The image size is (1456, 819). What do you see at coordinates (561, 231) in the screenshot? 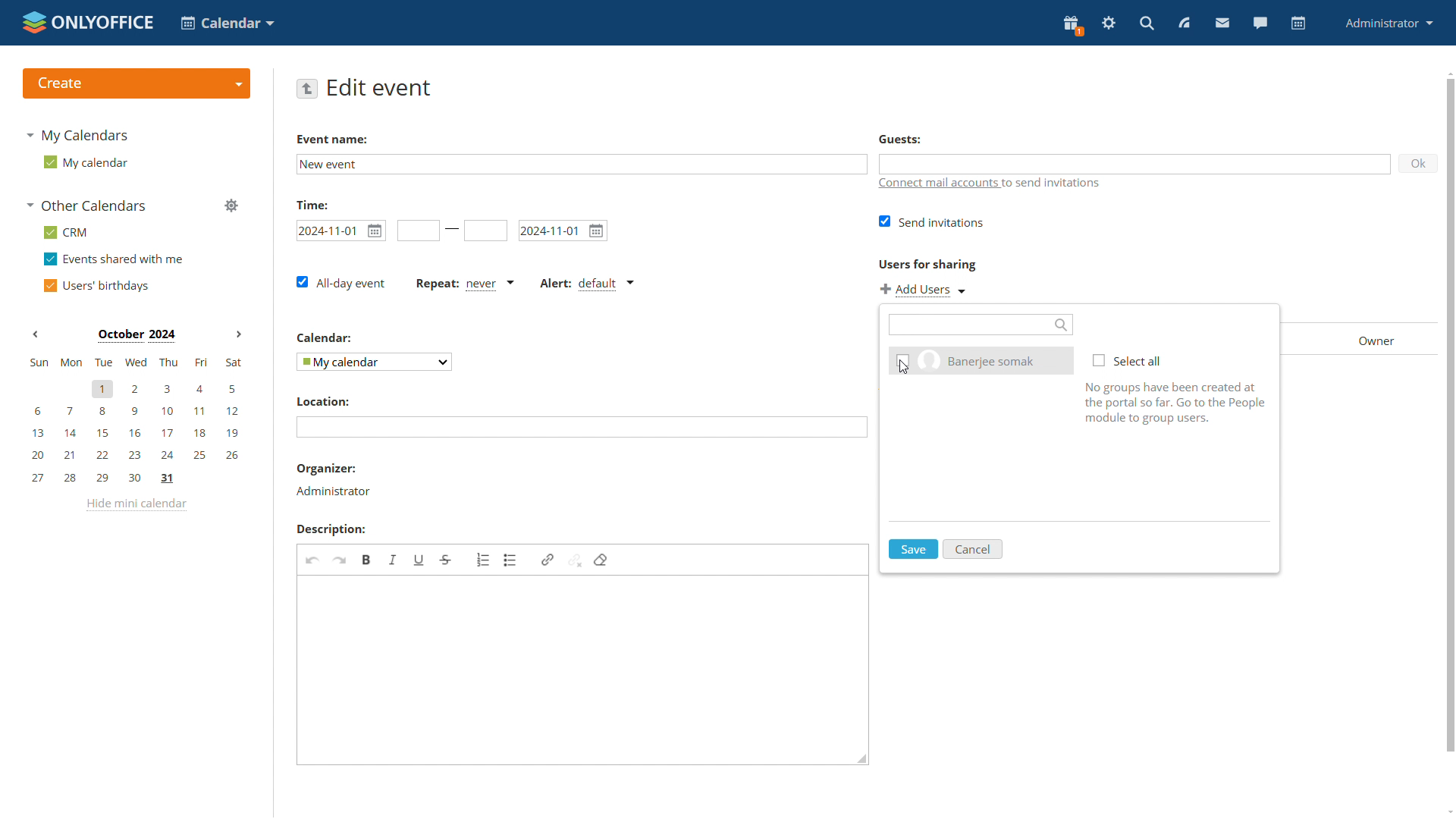
I see `end date` at bounding box center [561, 231].